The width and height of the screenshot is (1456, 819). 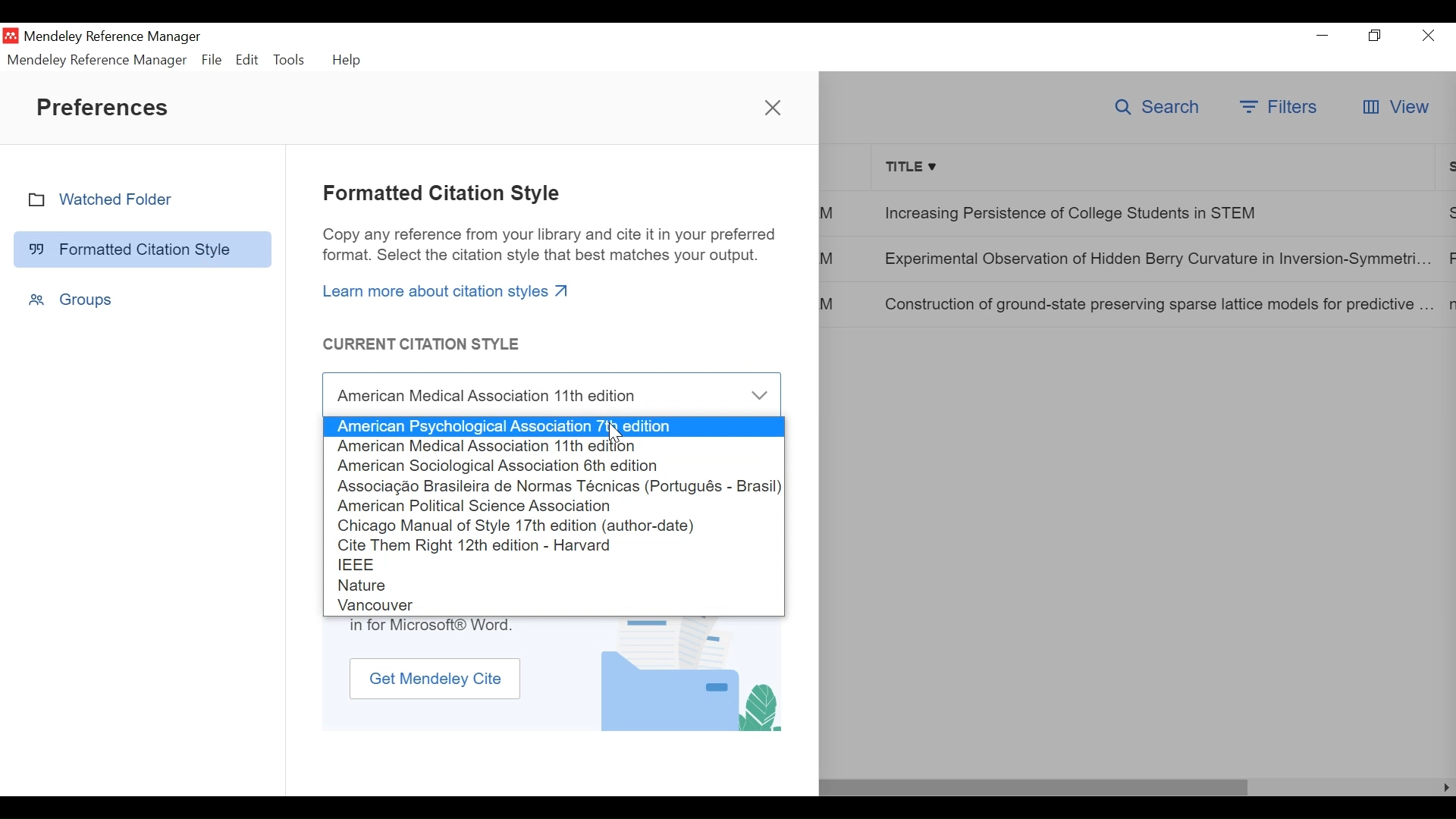 What do you see at coordinates (557, 466) in the screenshot?
I see `American Sociological Association 6th edition` at bounding box center [557, 466].